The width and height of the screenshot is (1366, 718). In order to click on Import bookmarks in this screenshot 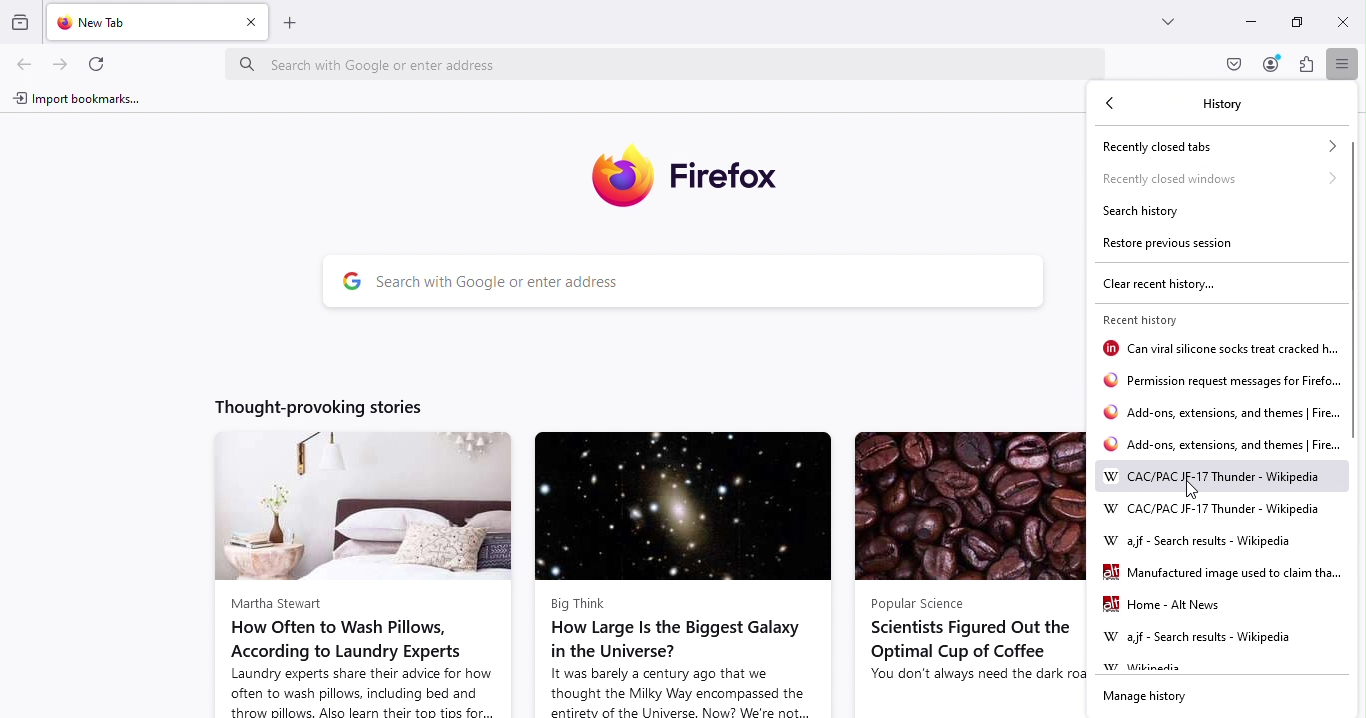, I will do `click(75, 102)`.